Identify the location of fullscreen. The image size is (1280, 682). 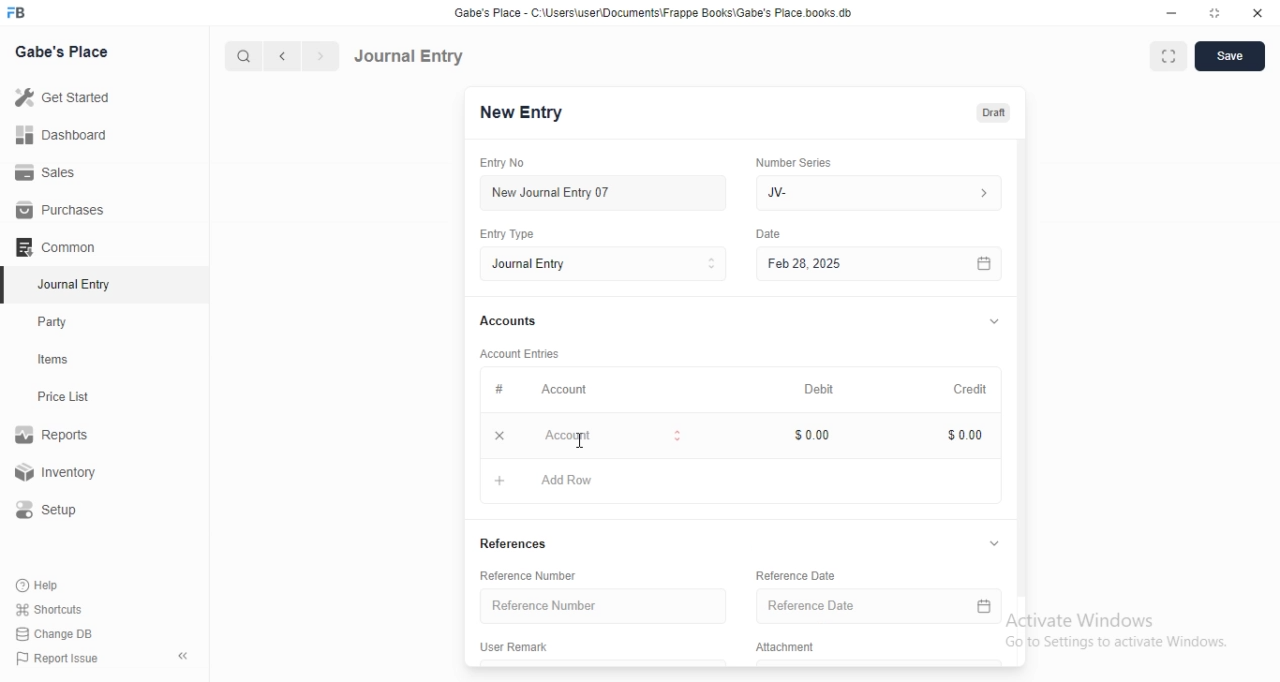
(1169, 58).